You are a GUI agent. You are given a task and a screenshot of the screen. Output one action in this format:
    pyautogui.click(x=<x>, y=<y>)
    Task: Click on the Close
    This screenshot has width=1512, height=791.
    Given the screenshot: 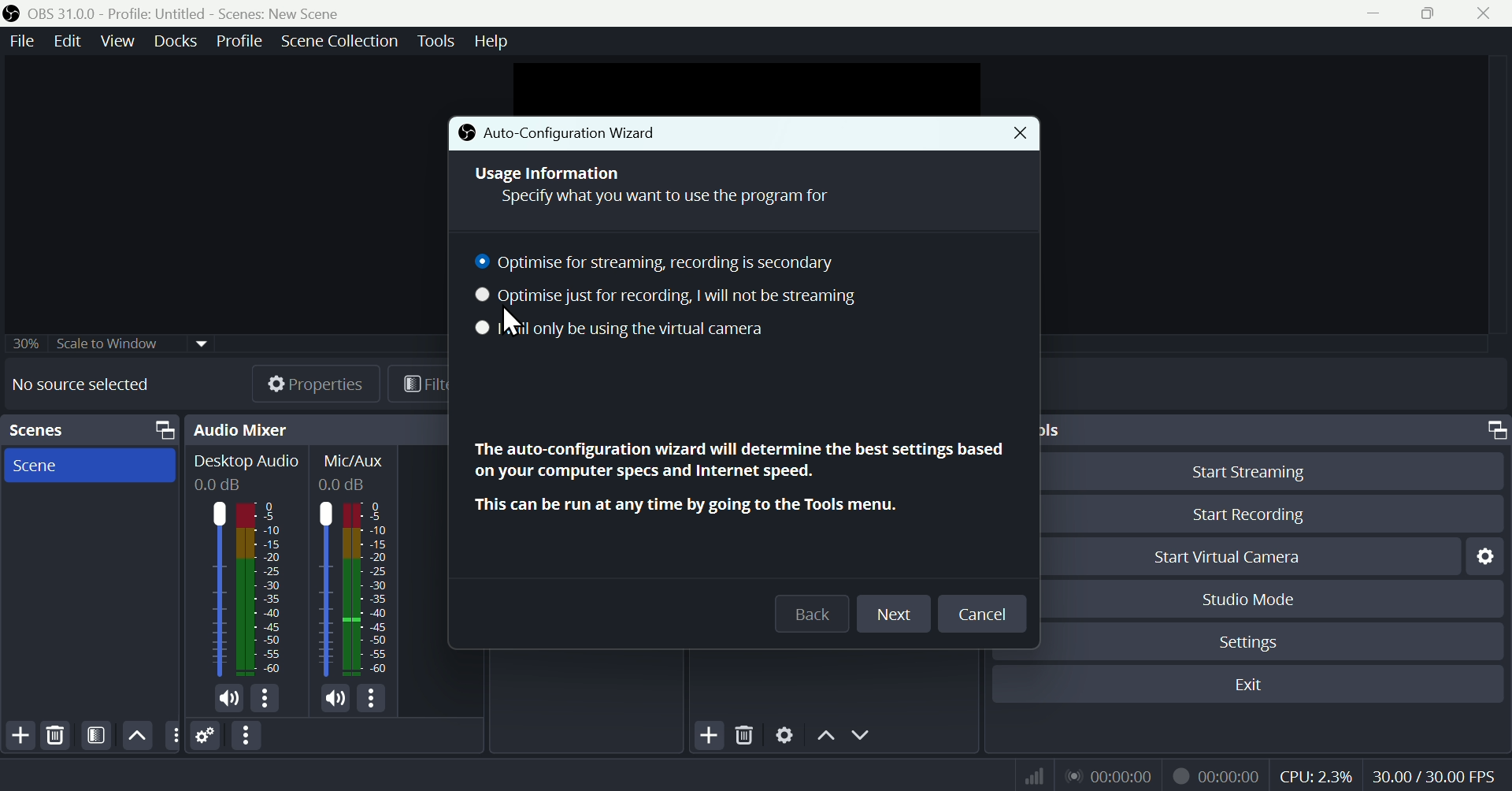 What is the action you would take?
    pyautogui.click(x=1011, y=134)
    